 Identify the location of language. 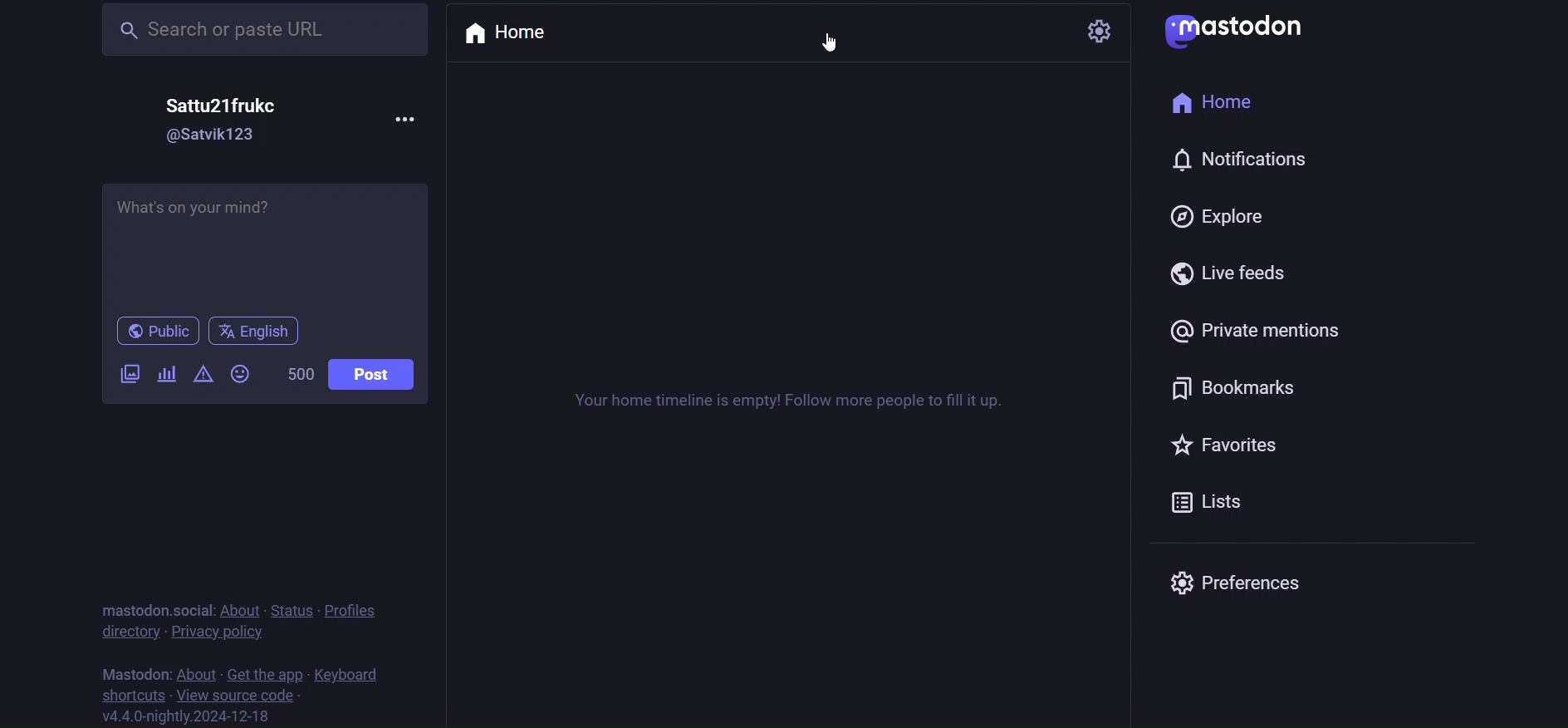
(256, 332).